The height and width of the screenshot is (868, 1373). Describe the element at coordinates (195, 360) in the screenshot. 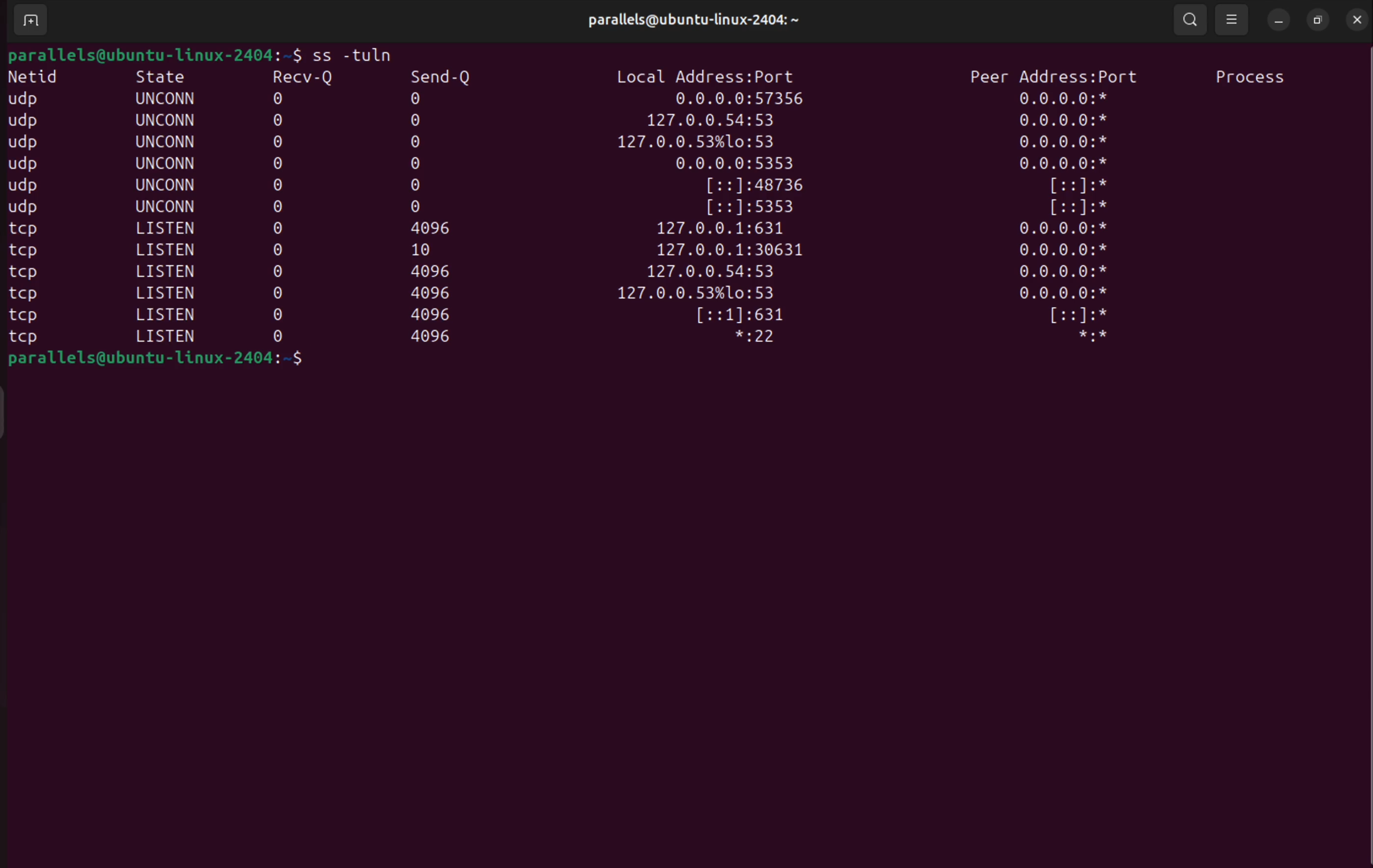

I see `bash prompt` at that location.